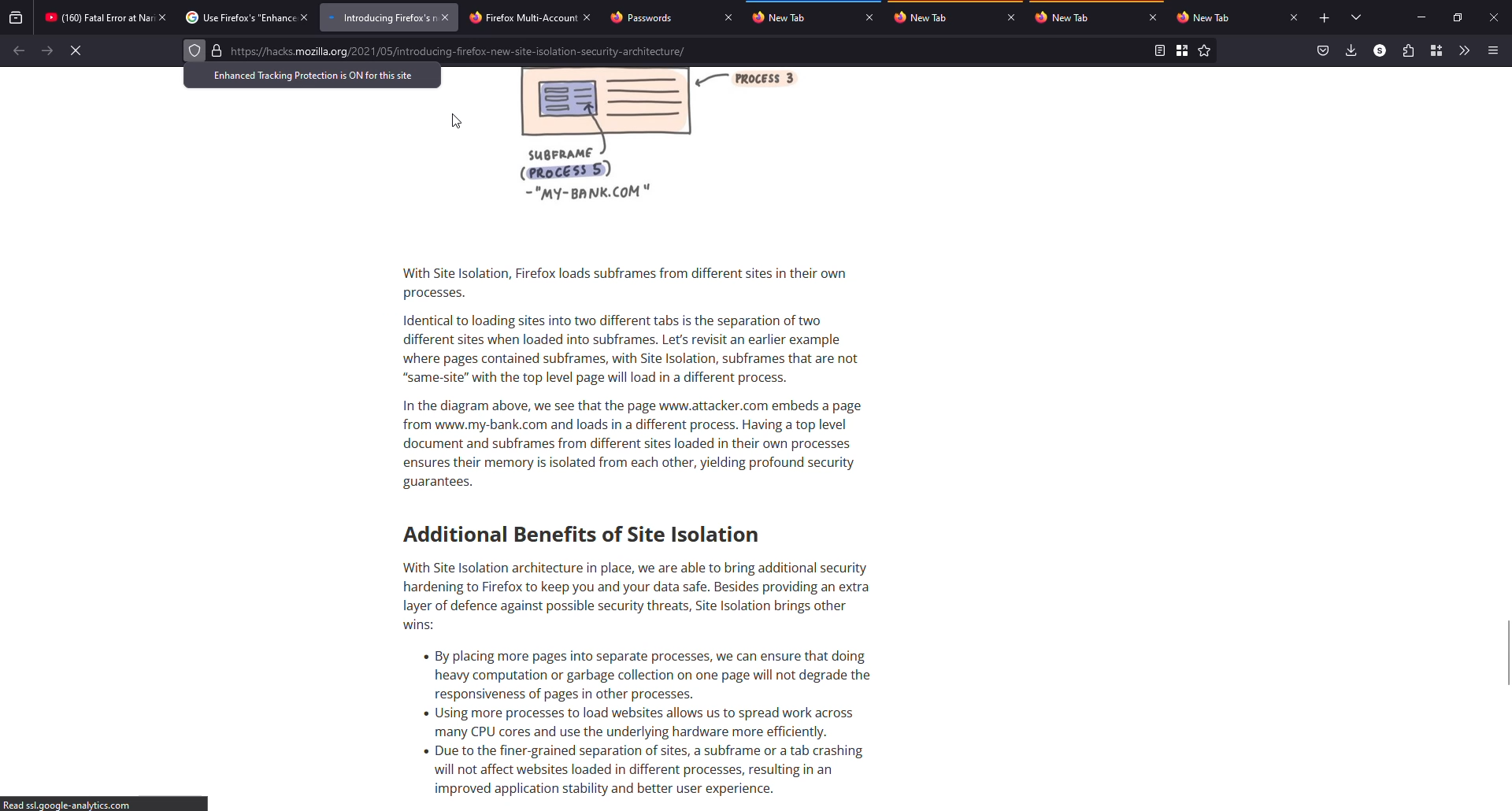 The height and width of the screenshot is (811, 1512). Describe the element at coordinates (1183, 51) in the screenshot. I see `open site in container` at that location.